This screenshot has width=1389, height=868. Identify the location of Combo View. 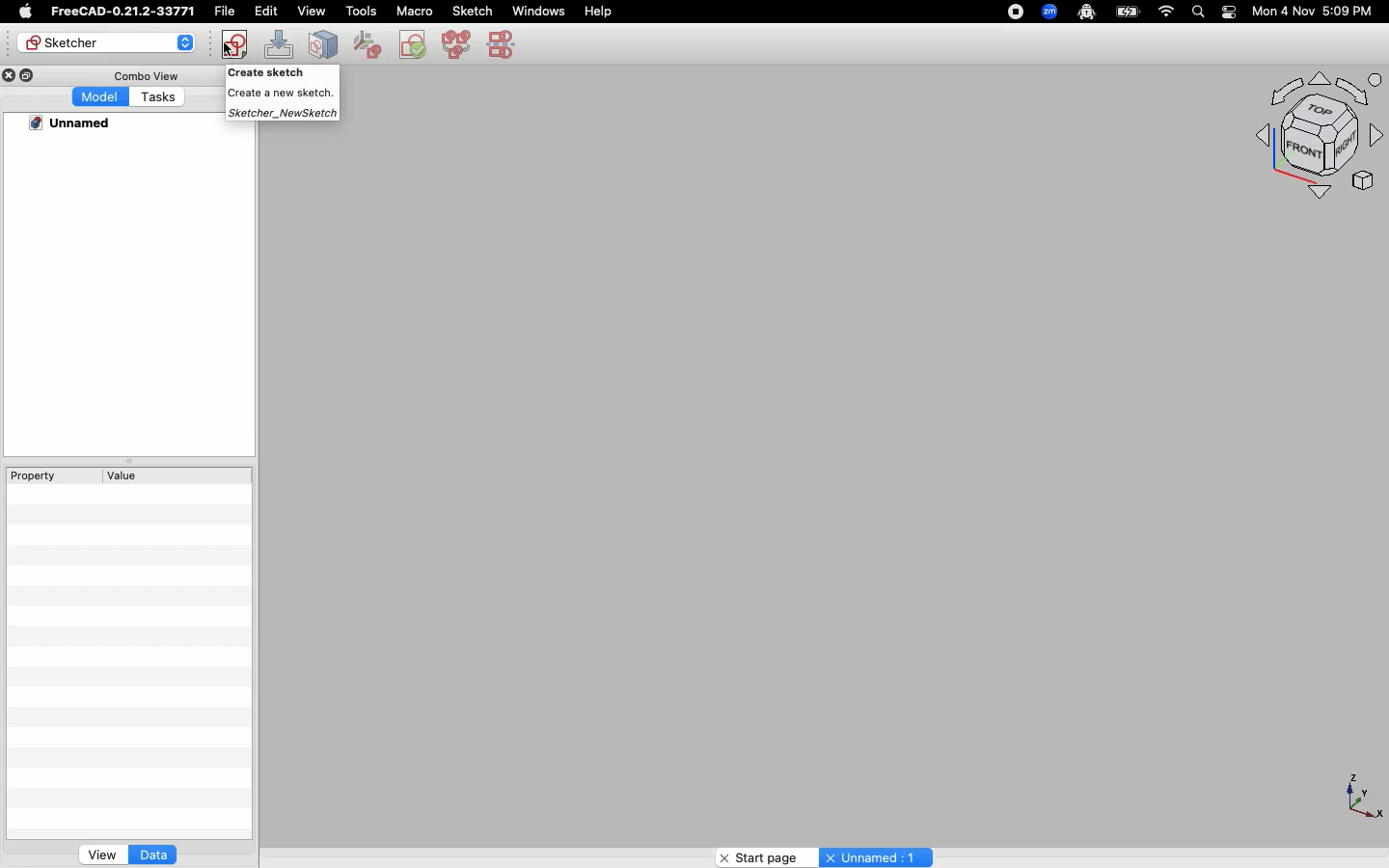
(150, 75).